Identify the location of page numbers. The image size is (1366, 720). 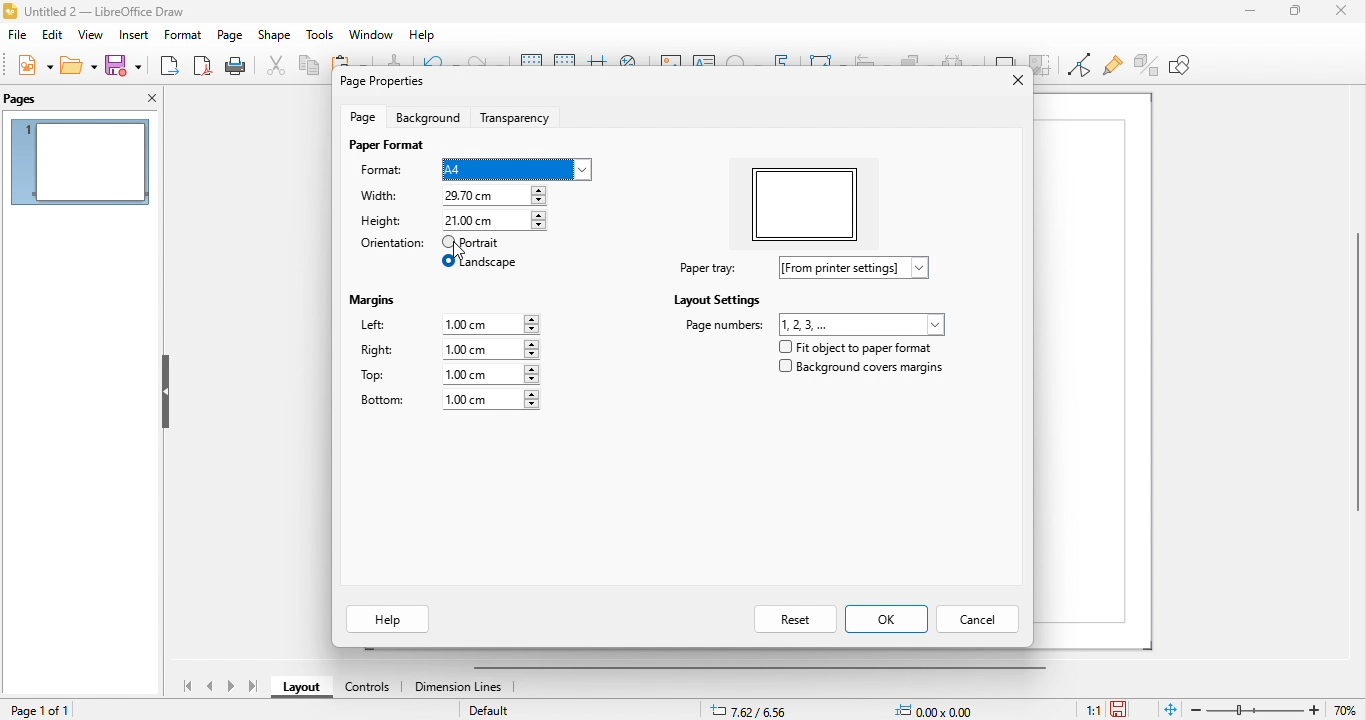
(813, 325).